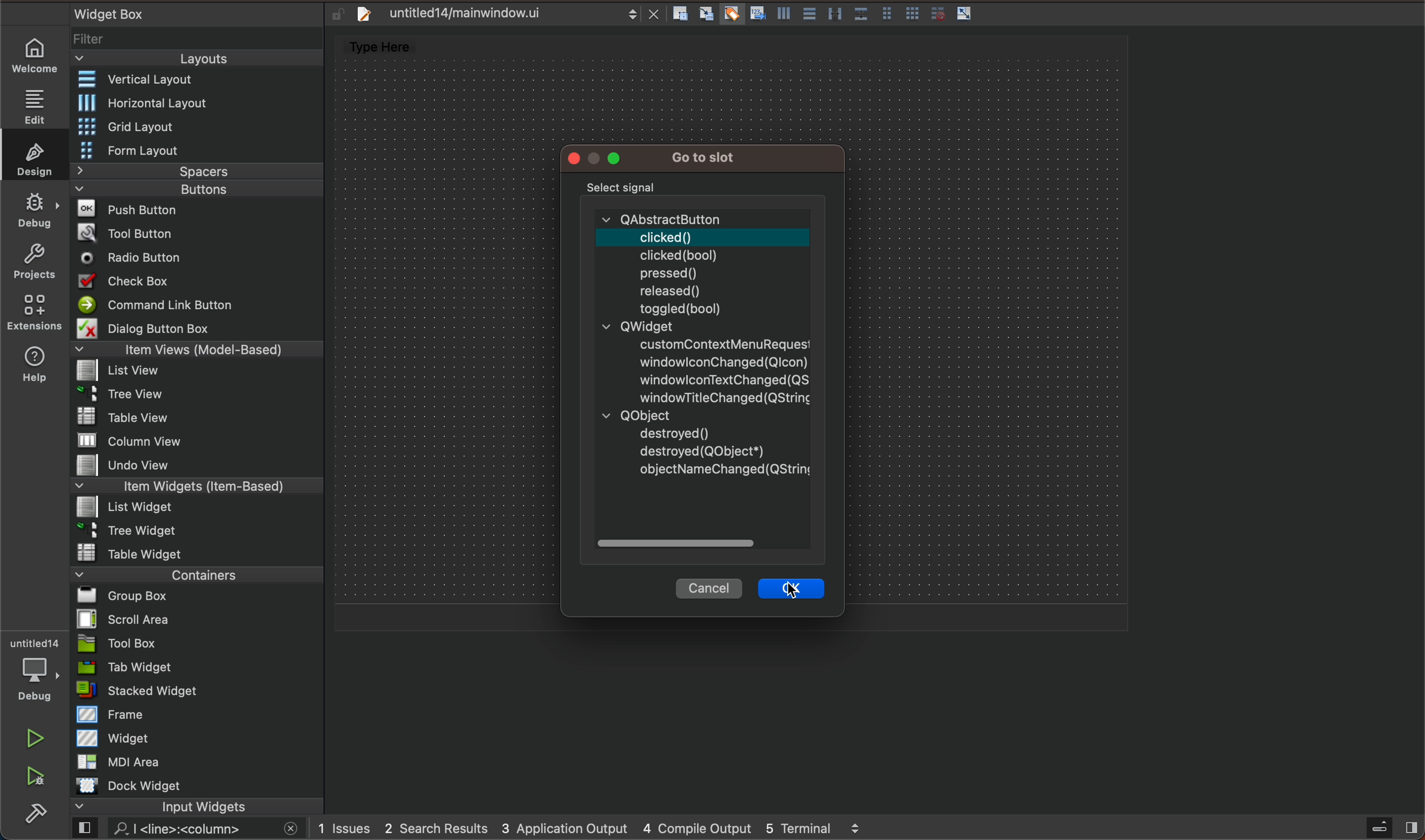 The width and height of the screenshot is (1425, 840). I want to click on logs, so click(593, 829).